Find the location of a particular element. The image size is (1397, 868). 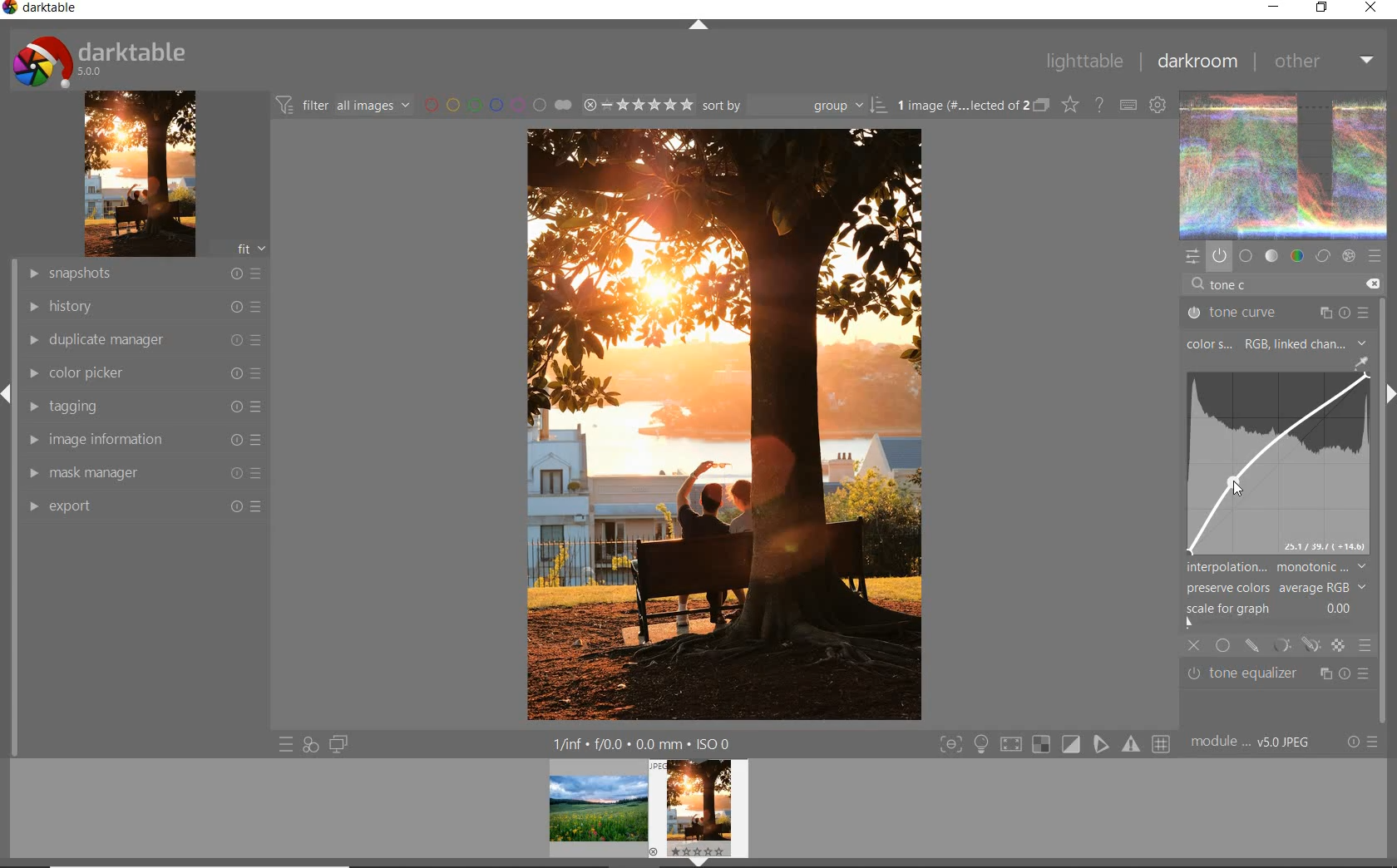

scale for graph is located at coordinates (1272, 609).